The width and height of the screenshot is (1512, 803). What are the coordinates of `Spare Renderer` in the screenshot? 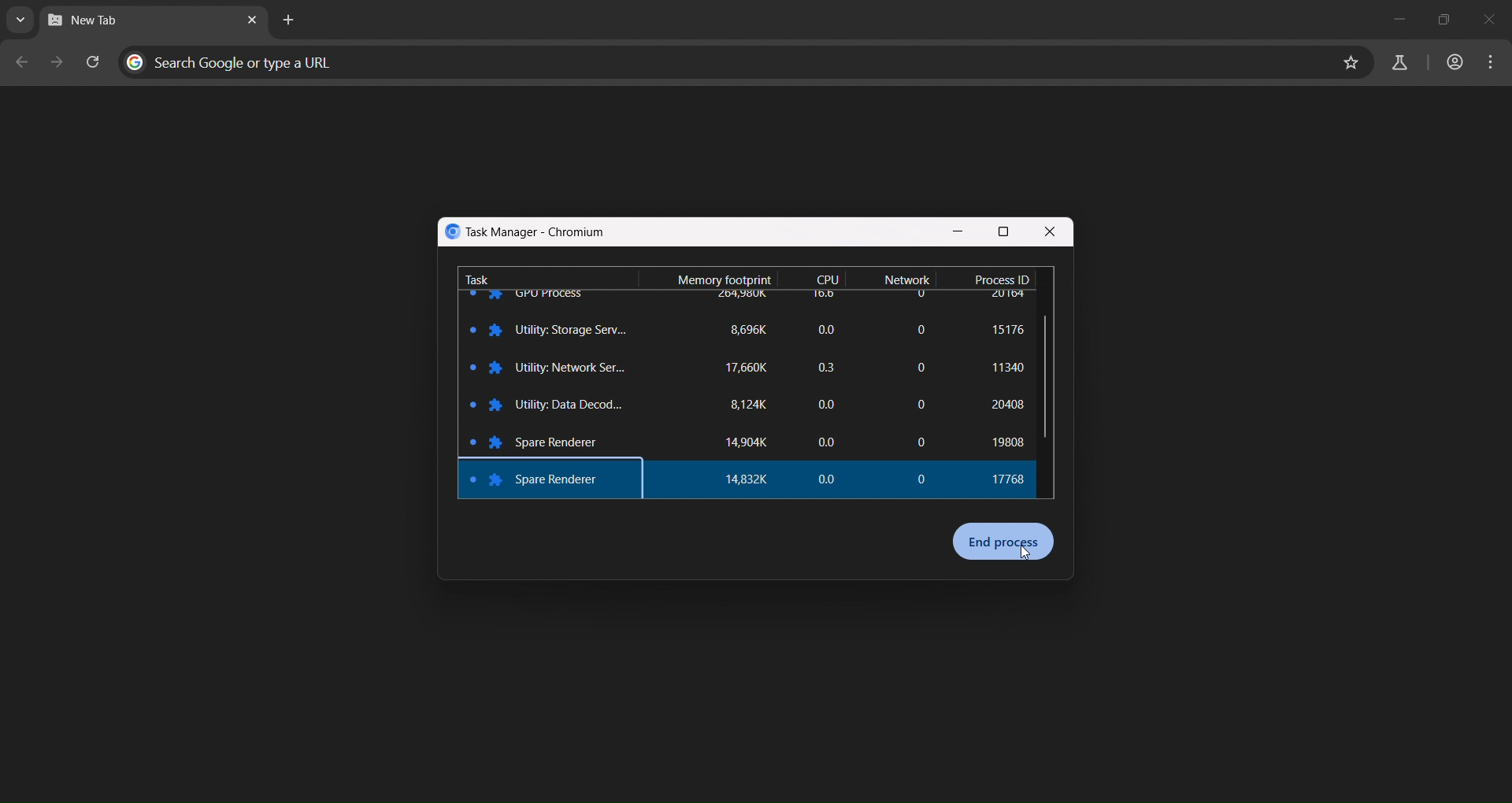 It's located at (564, 441).